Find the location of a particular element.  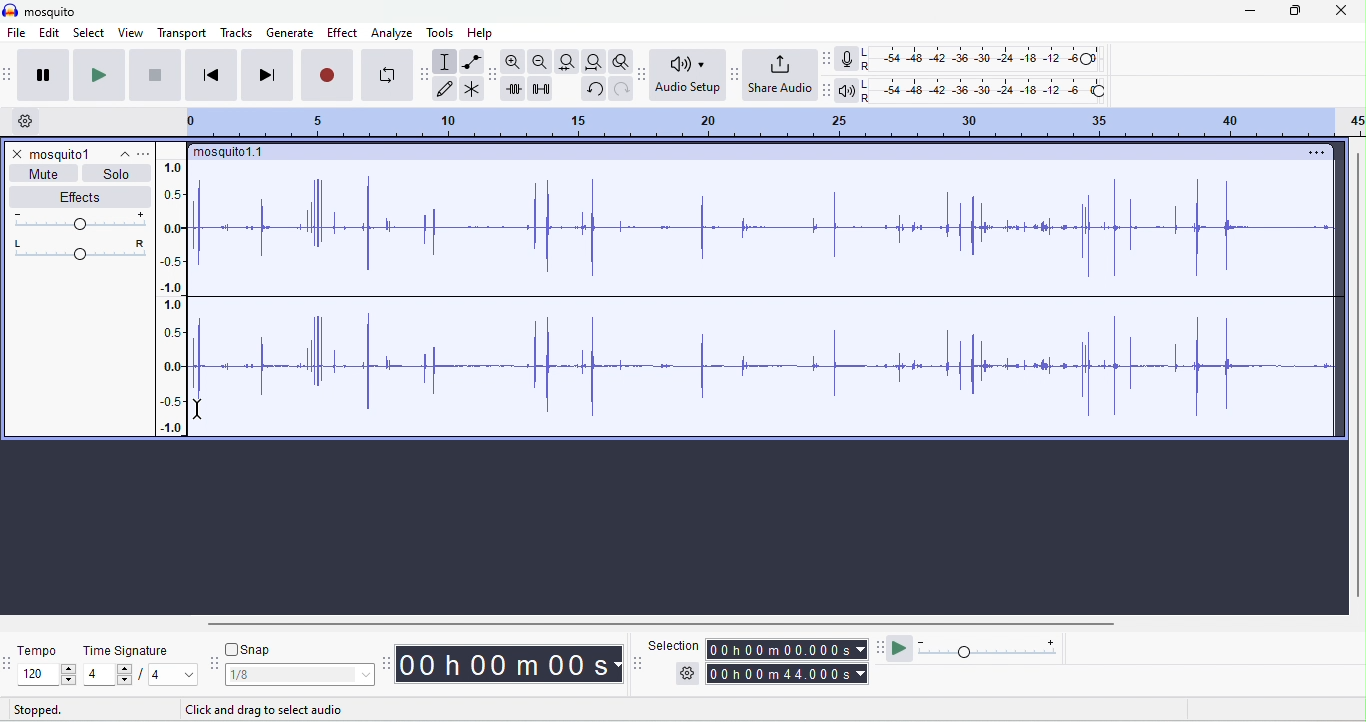

help is located at coordinates (480, 33).